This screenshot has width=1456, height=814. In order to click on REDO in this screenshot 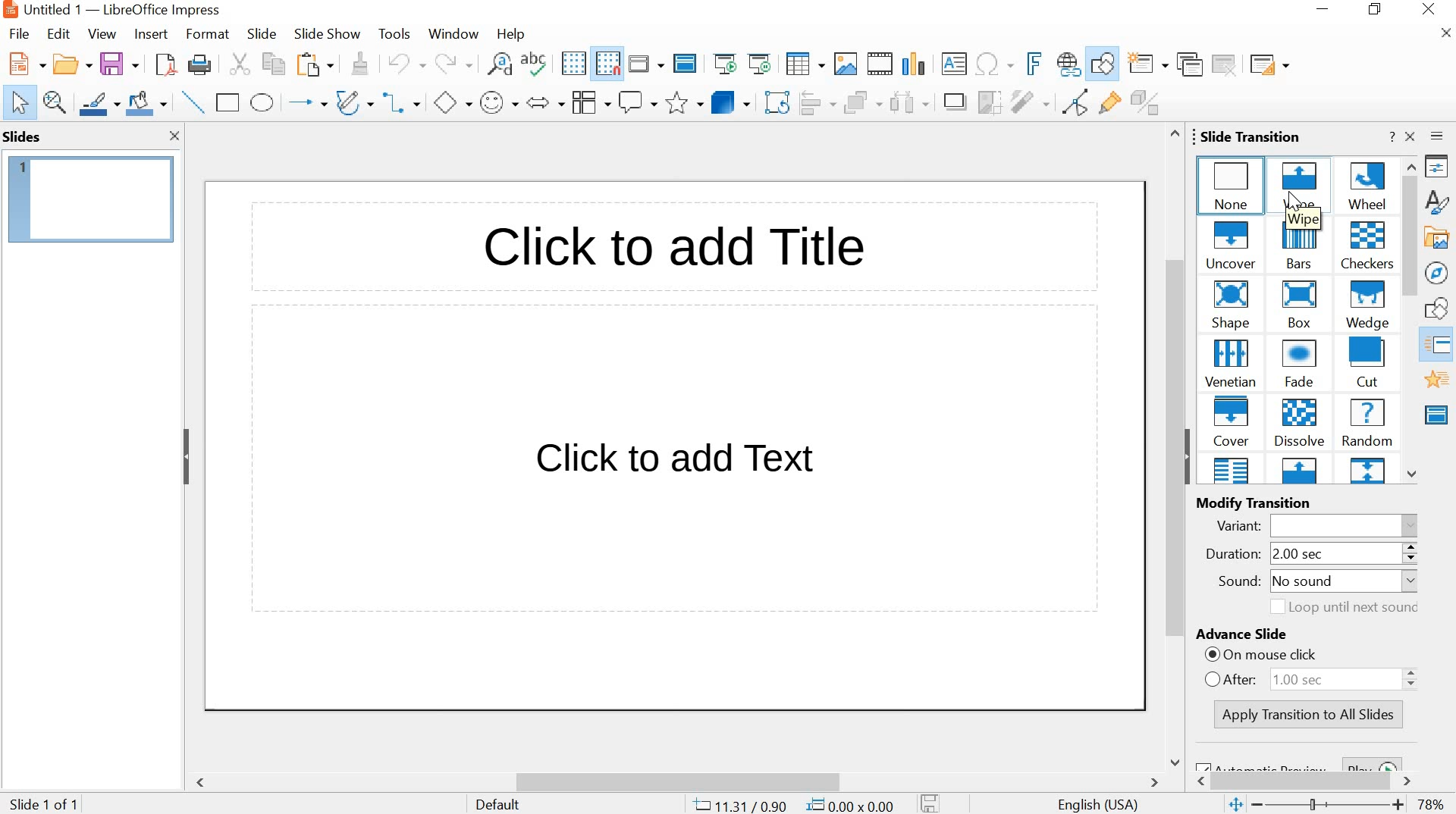, I will do `click(453, 64)`.